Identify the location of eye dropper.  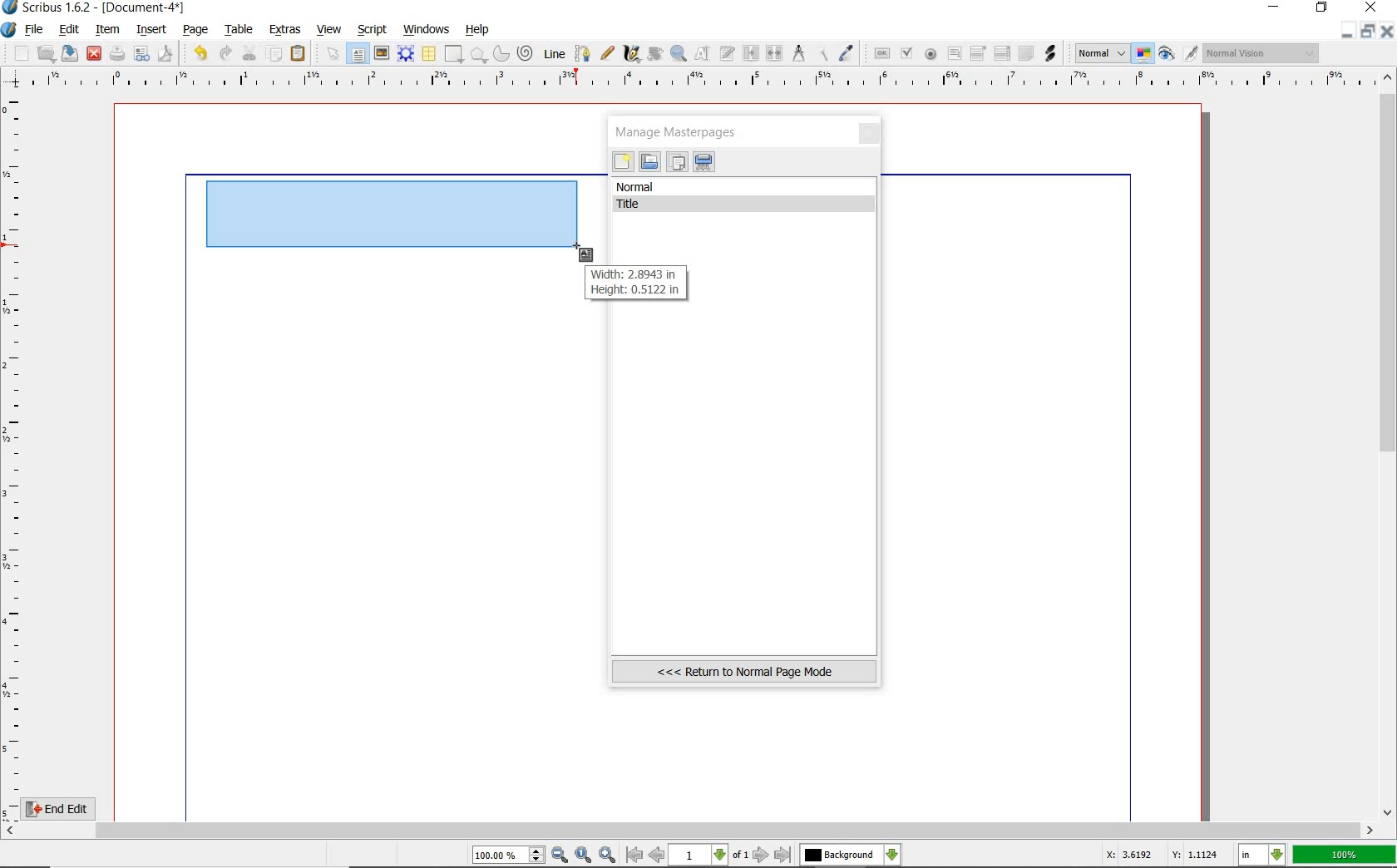
(847, 53).